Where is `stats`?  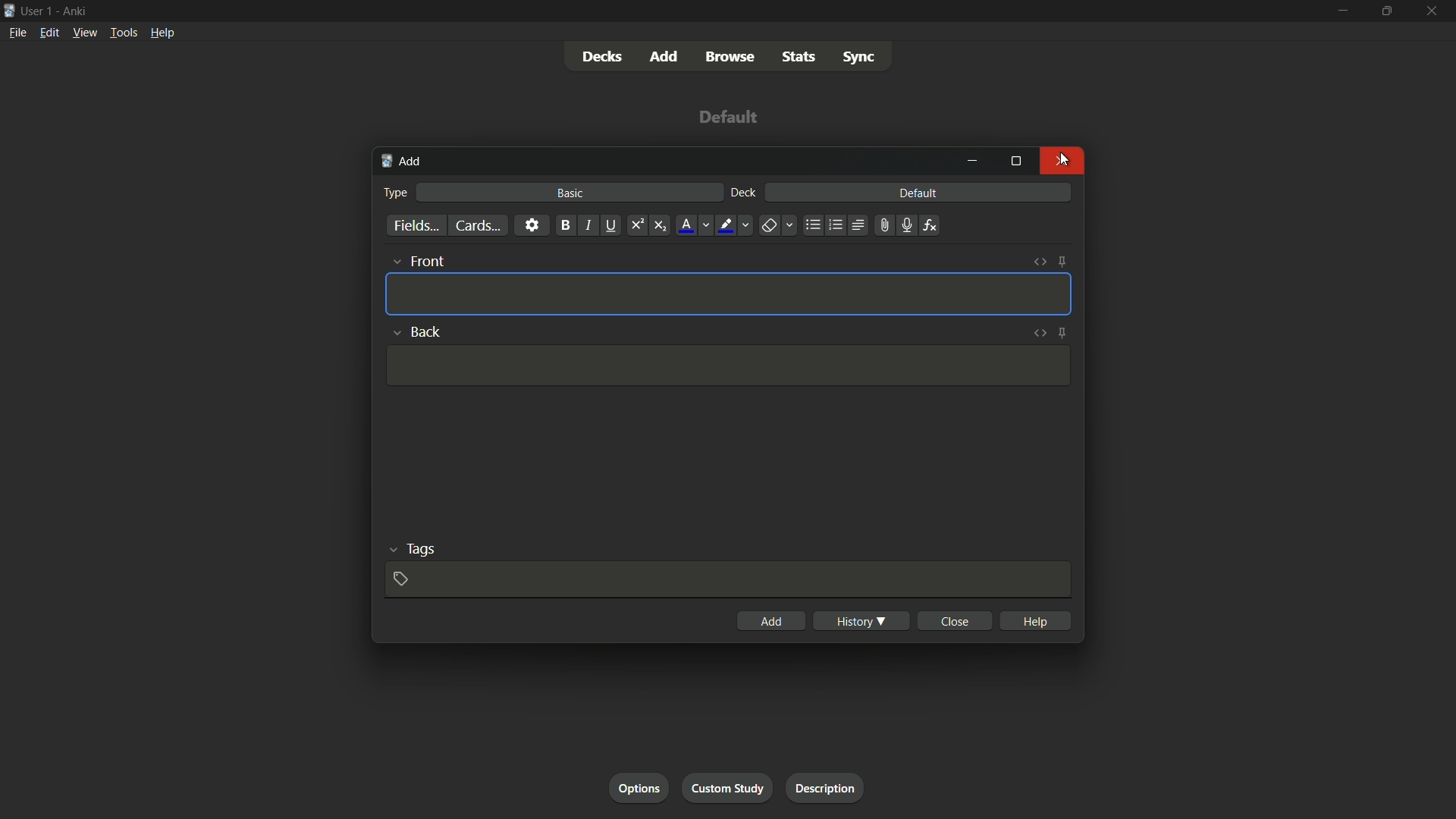
stats is located at coordinates (799, 58).